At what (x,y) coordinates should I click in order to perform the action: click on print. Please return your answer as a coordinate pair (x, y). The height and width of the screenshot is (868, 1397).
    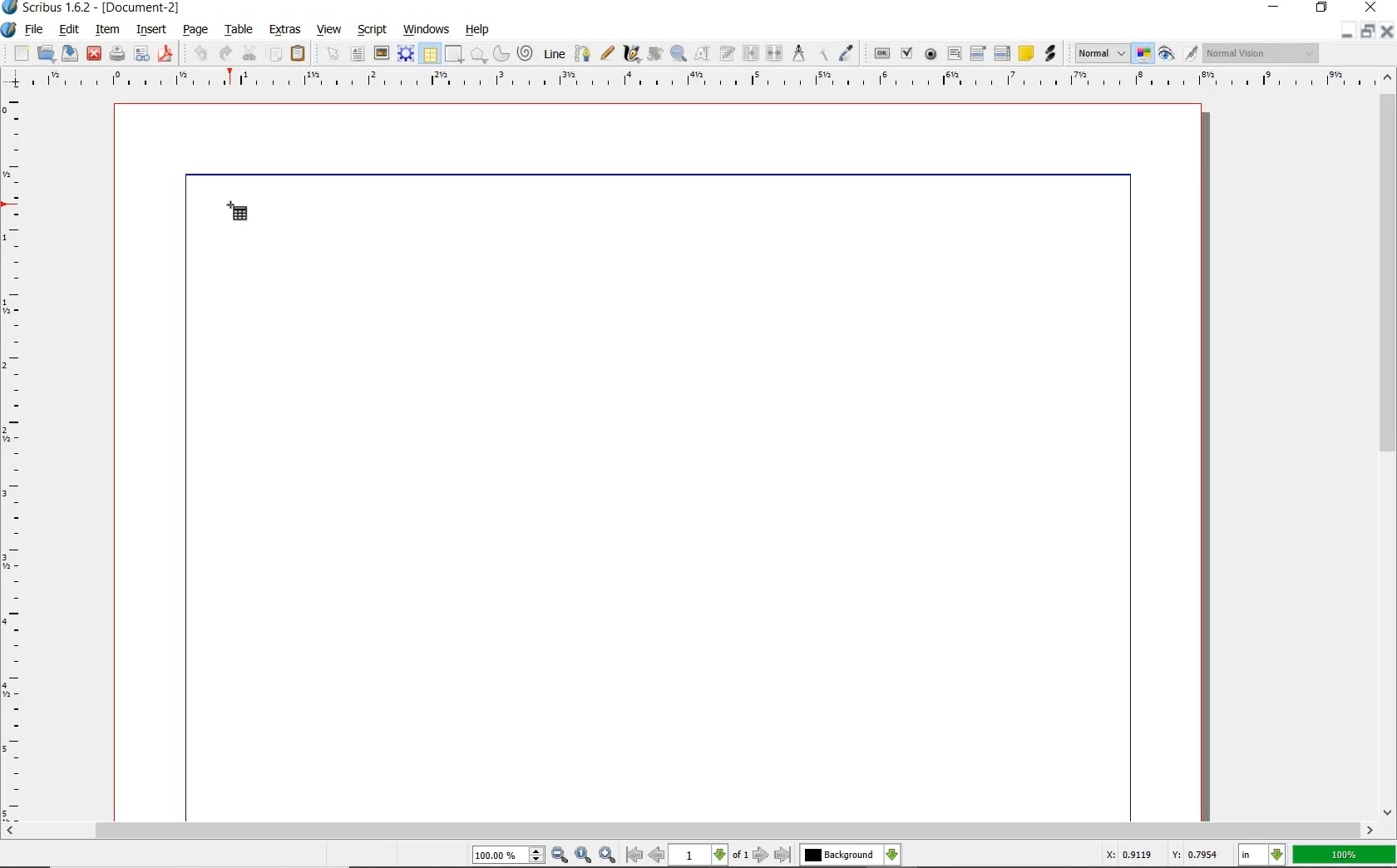
    Looking at the image, I should click on (116, 53).